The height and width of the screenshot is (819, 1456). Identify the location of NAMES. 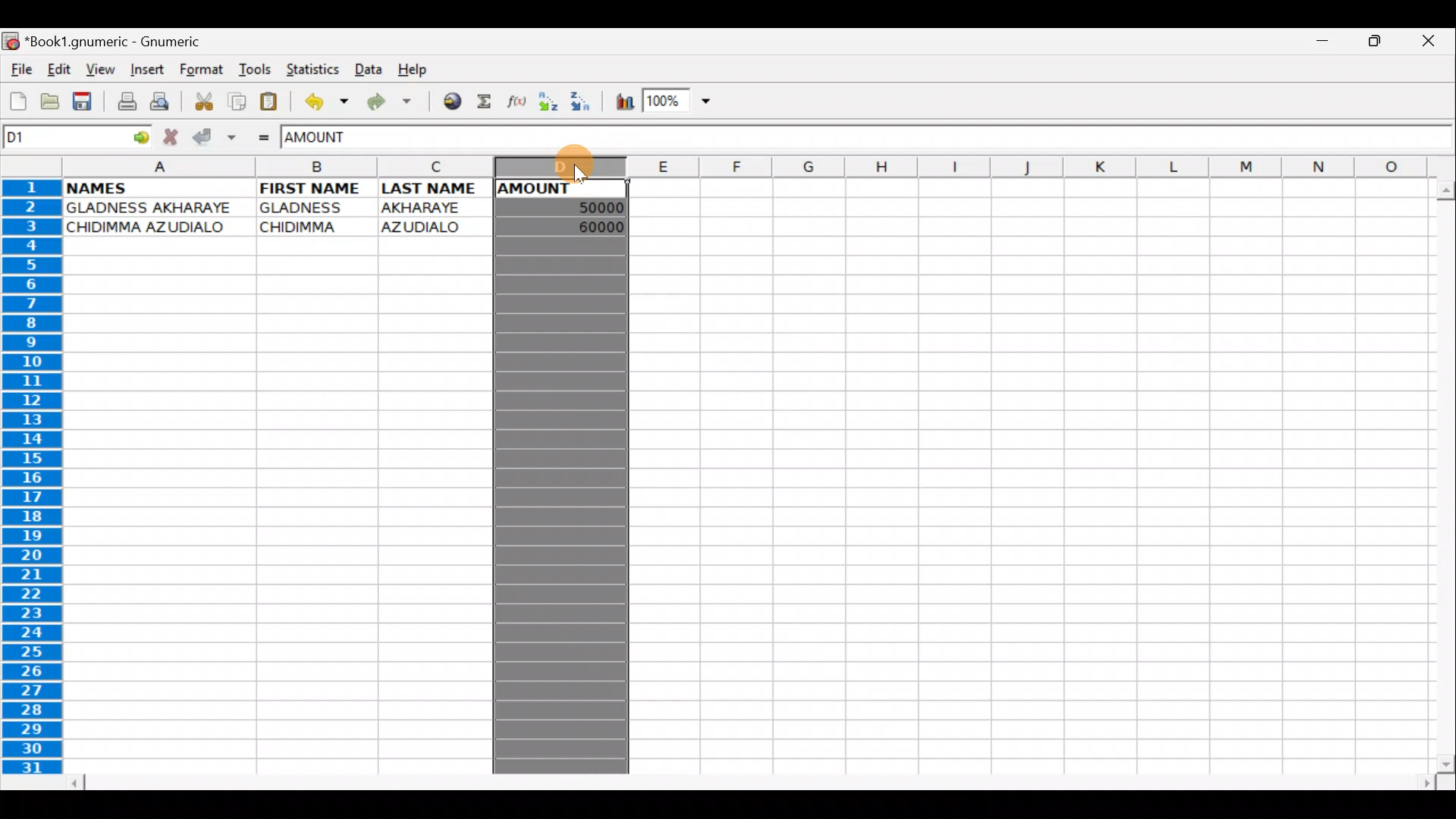
(120, 188).